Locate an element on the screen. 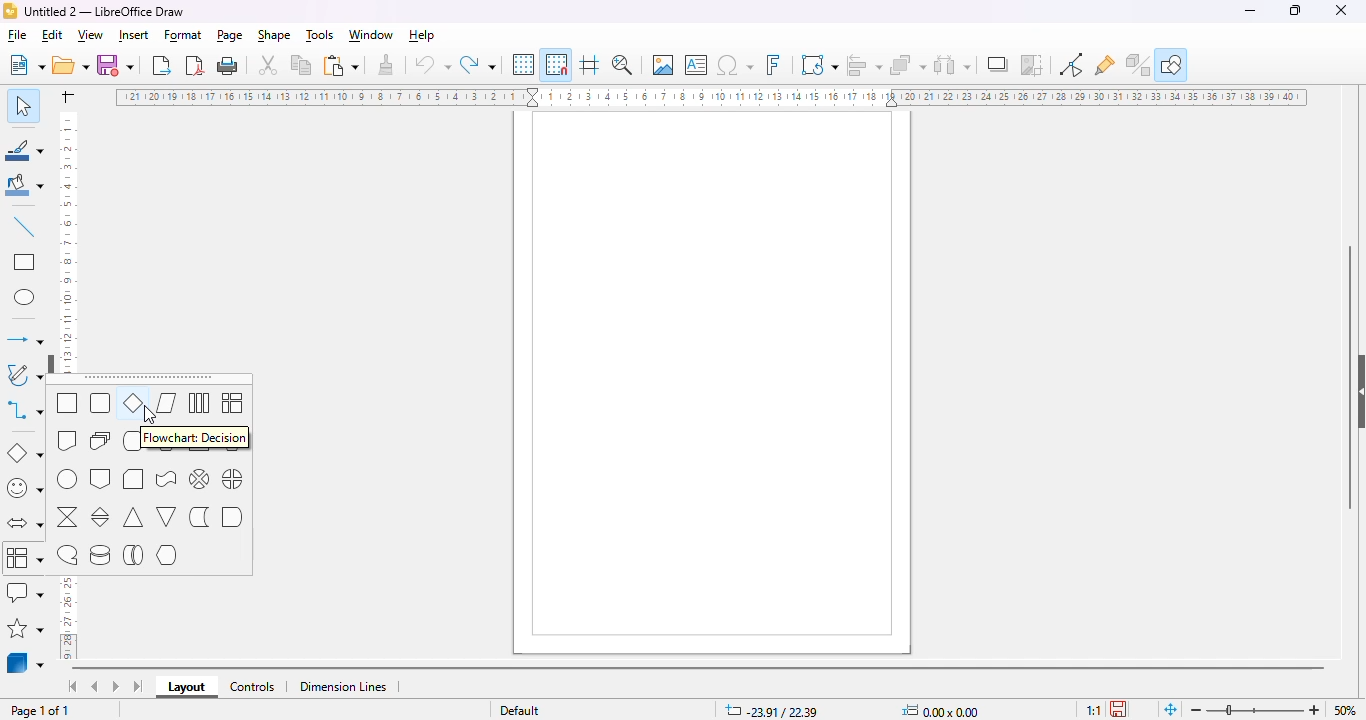  help is located at coordinates (423, 37).